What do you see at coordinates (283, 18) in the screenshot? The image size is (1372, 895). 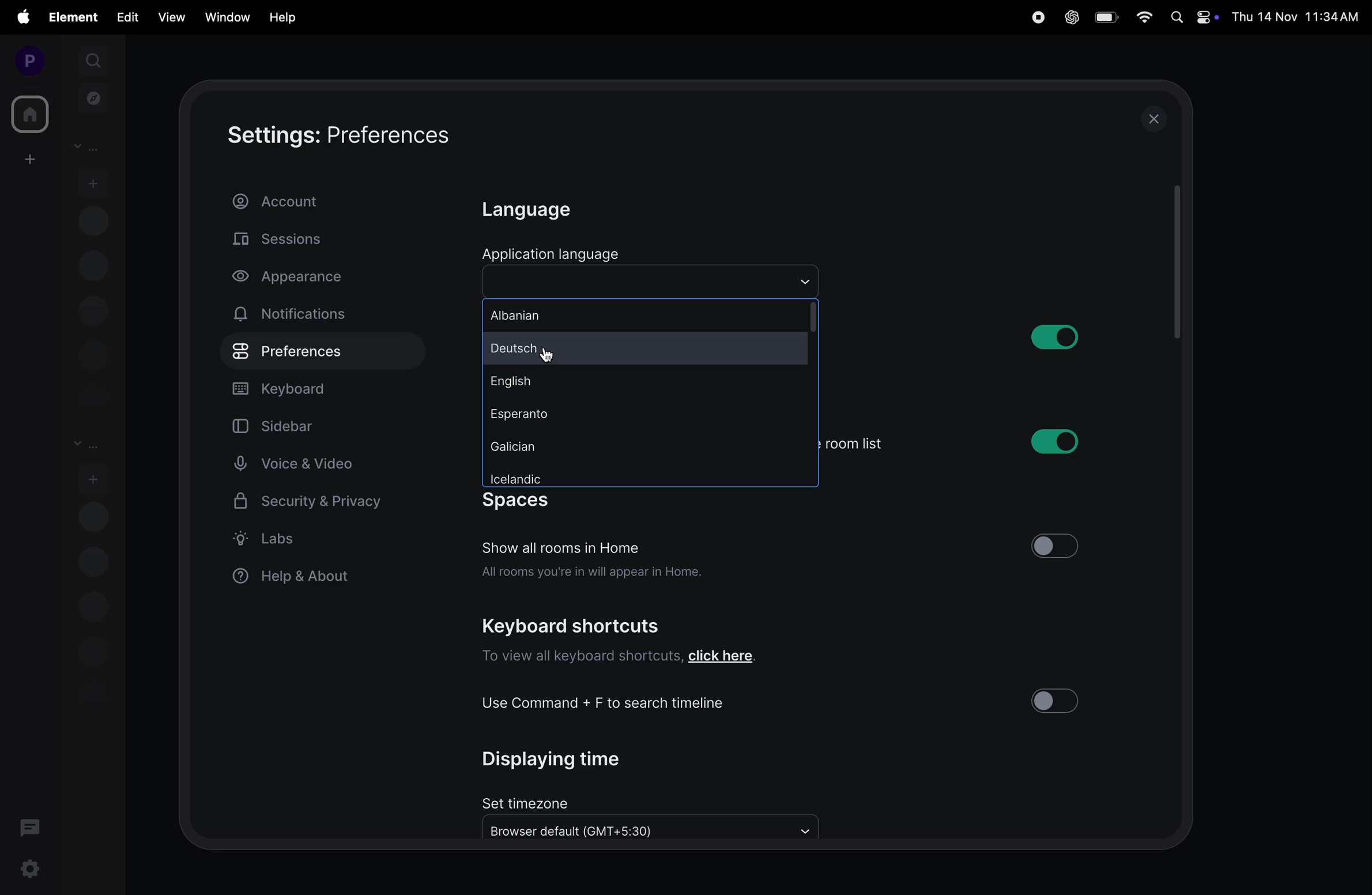 I see `hlep` at bounding box center [283, 18].